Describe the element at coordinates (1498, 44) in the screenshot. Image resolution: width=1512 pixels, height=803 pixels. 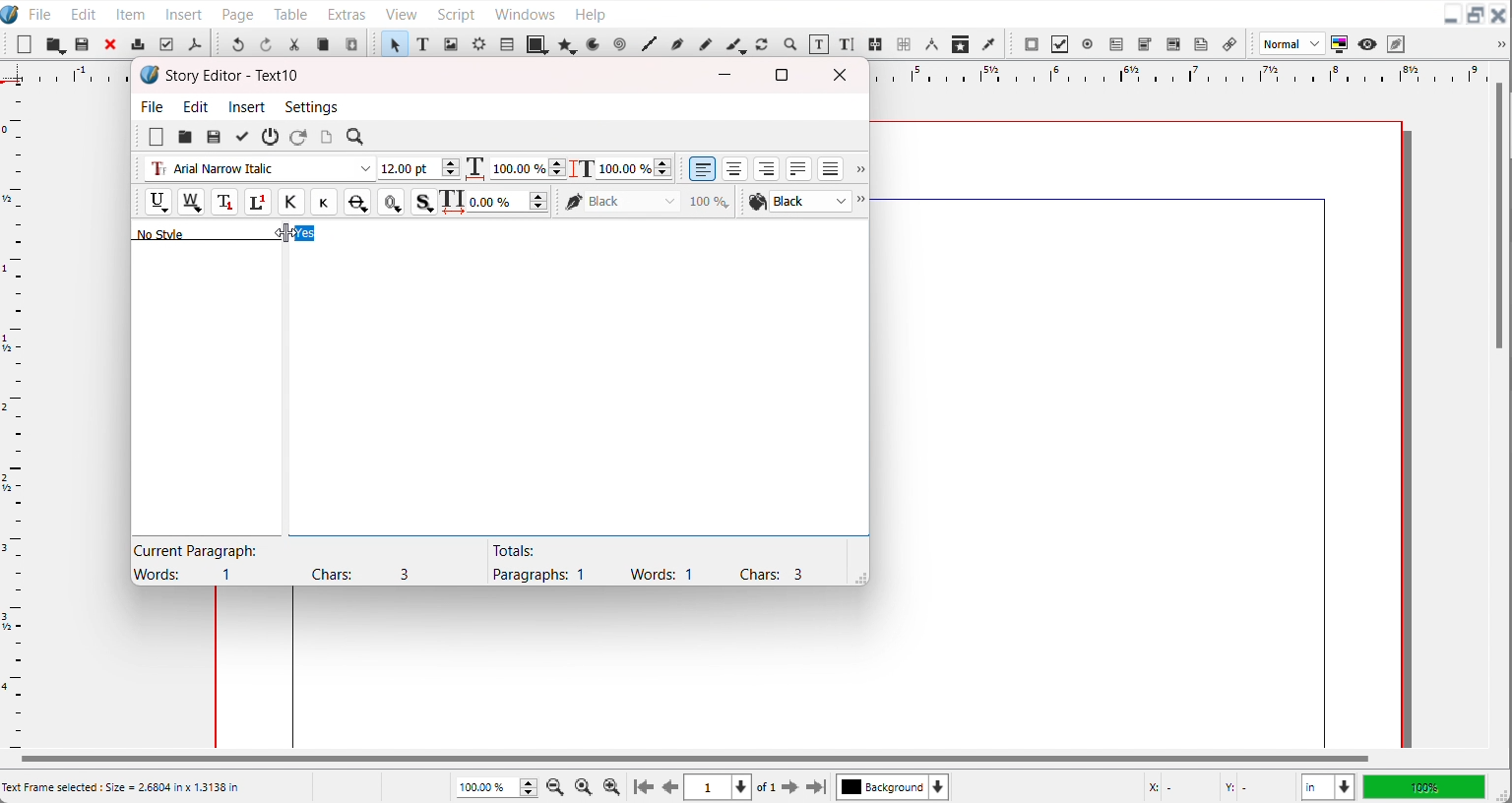
I see `Drop down box` at that location.